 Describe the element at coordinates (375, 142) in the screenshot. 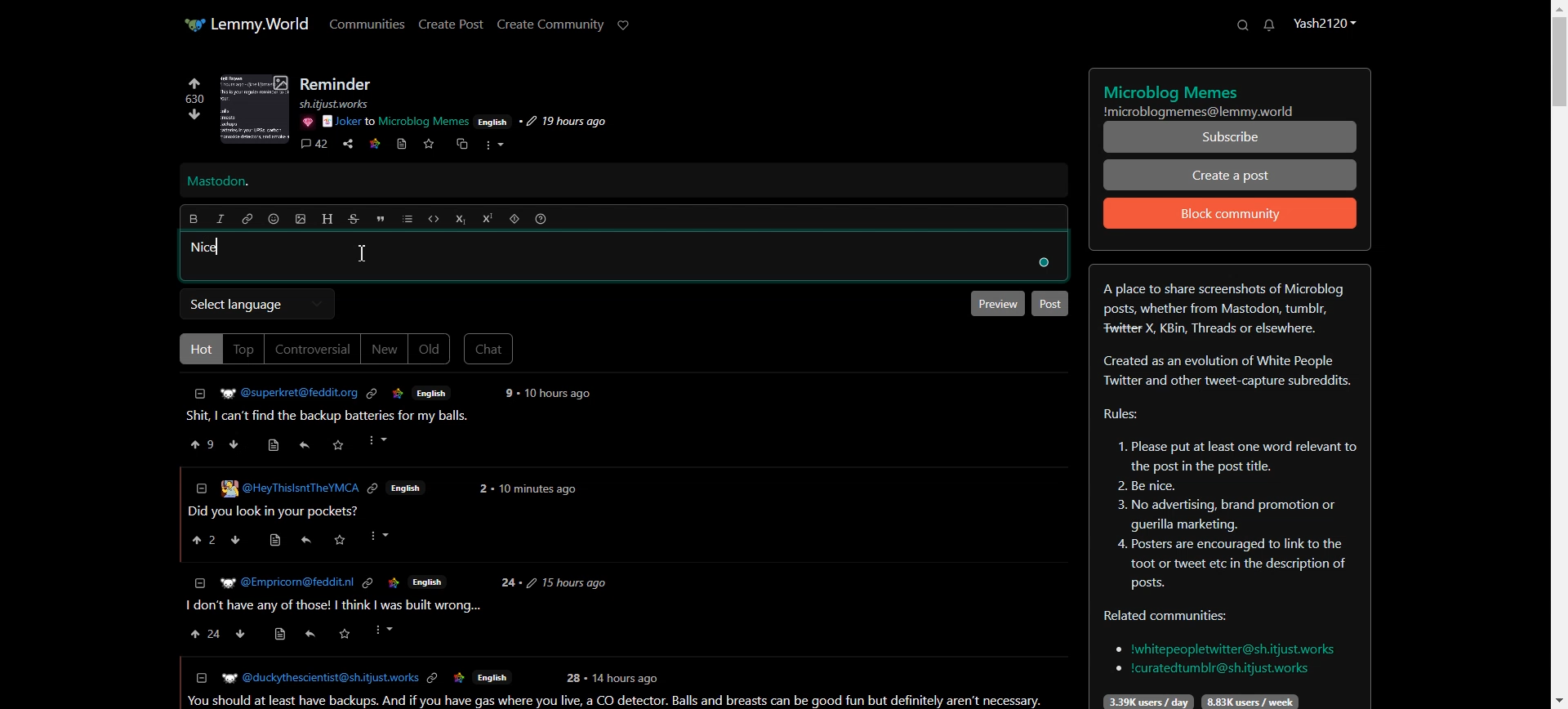

I see `Link` at that location.